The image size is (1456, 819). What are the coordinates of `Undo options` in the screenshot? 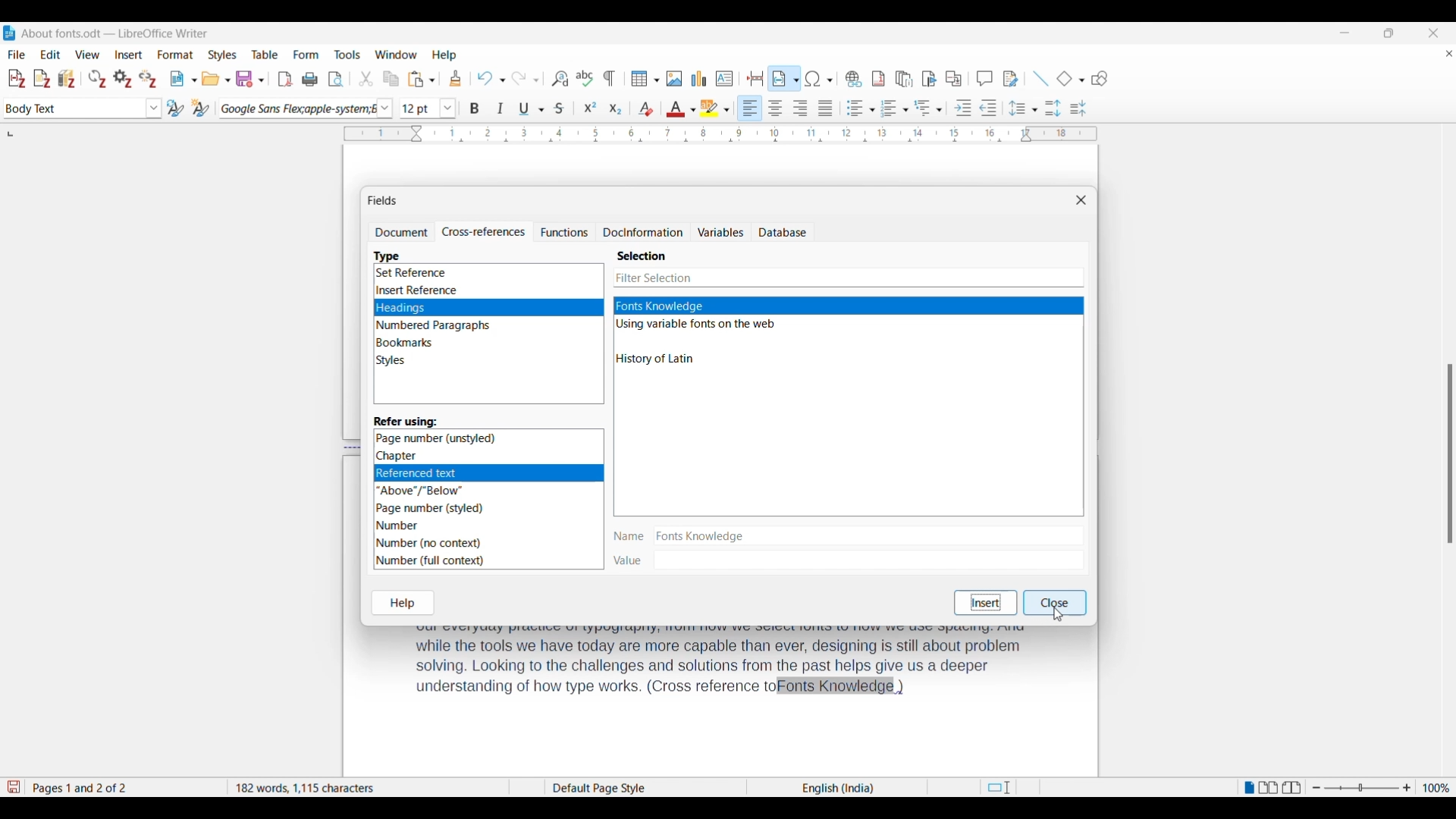 It's located at (491, 79).